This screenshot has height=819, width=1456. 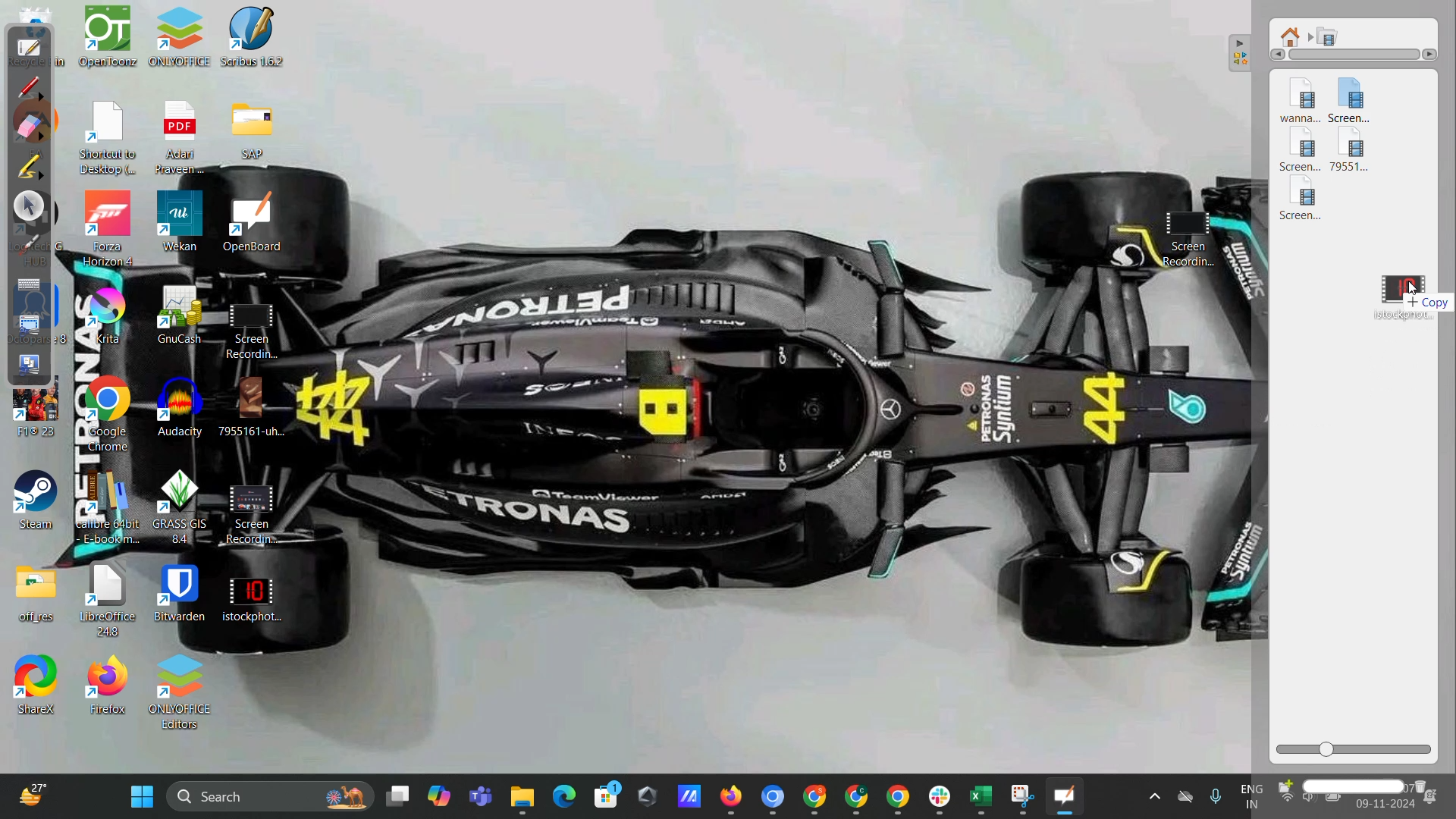 What do you see at coordinates (1432, 785) in the screenshot?
I see `delete` at bounding box center [1432, 785].